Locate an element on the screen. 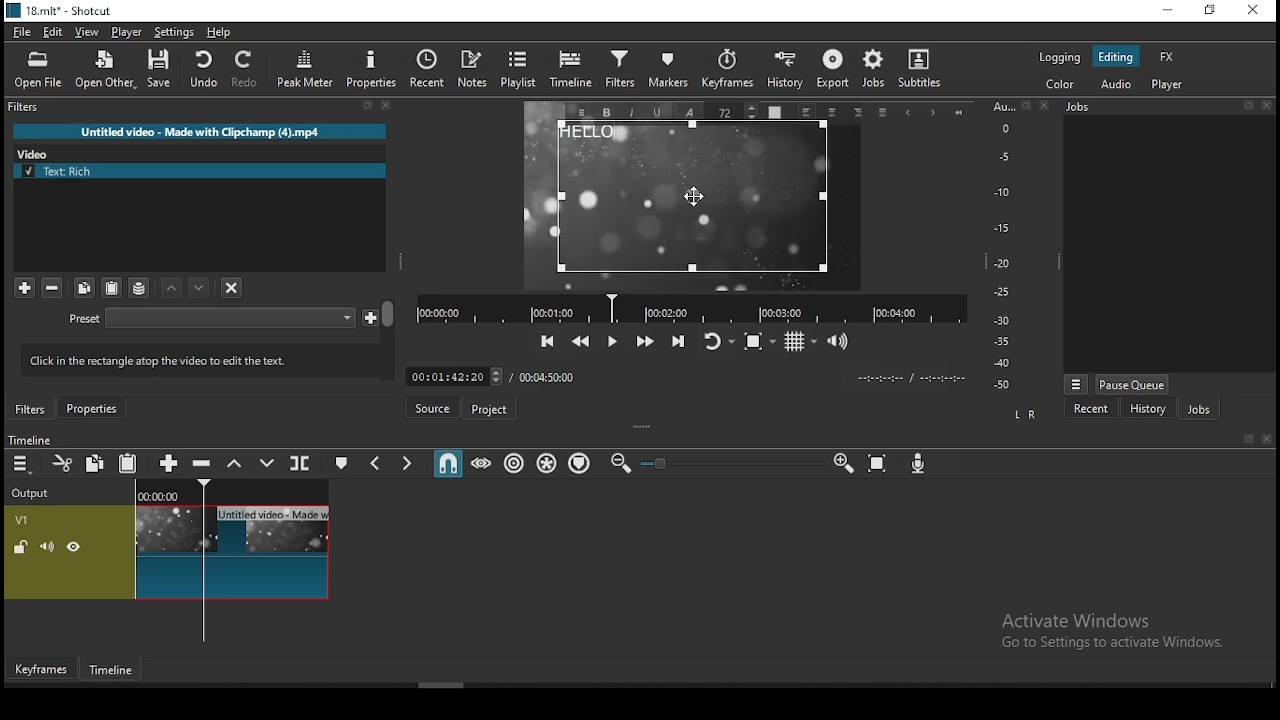 The height and width of the screenshot is (720, 1280). icon and file name is located at coordinates (58, 11).